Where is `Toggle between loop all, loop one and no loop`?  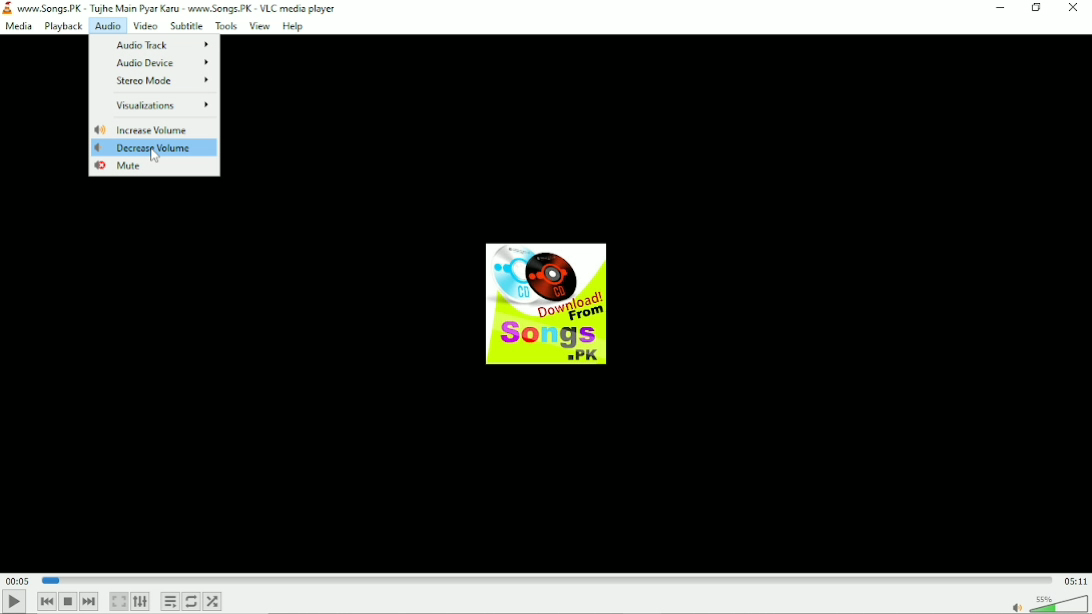 Toggle between loop all, loop one and no loop is located at coordinates (192, 601).